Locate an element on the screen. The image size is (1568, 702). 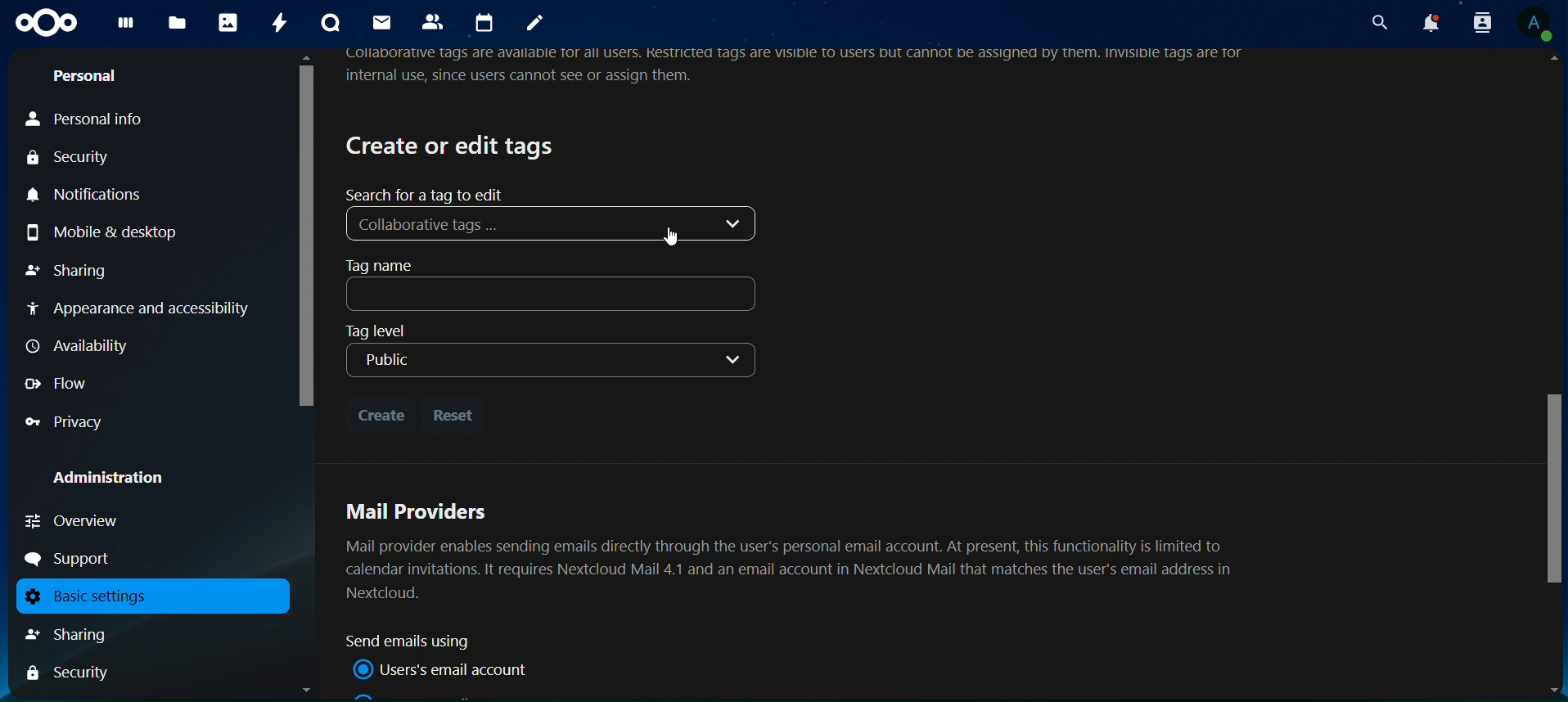
reset is located at coordinates (457, 415).